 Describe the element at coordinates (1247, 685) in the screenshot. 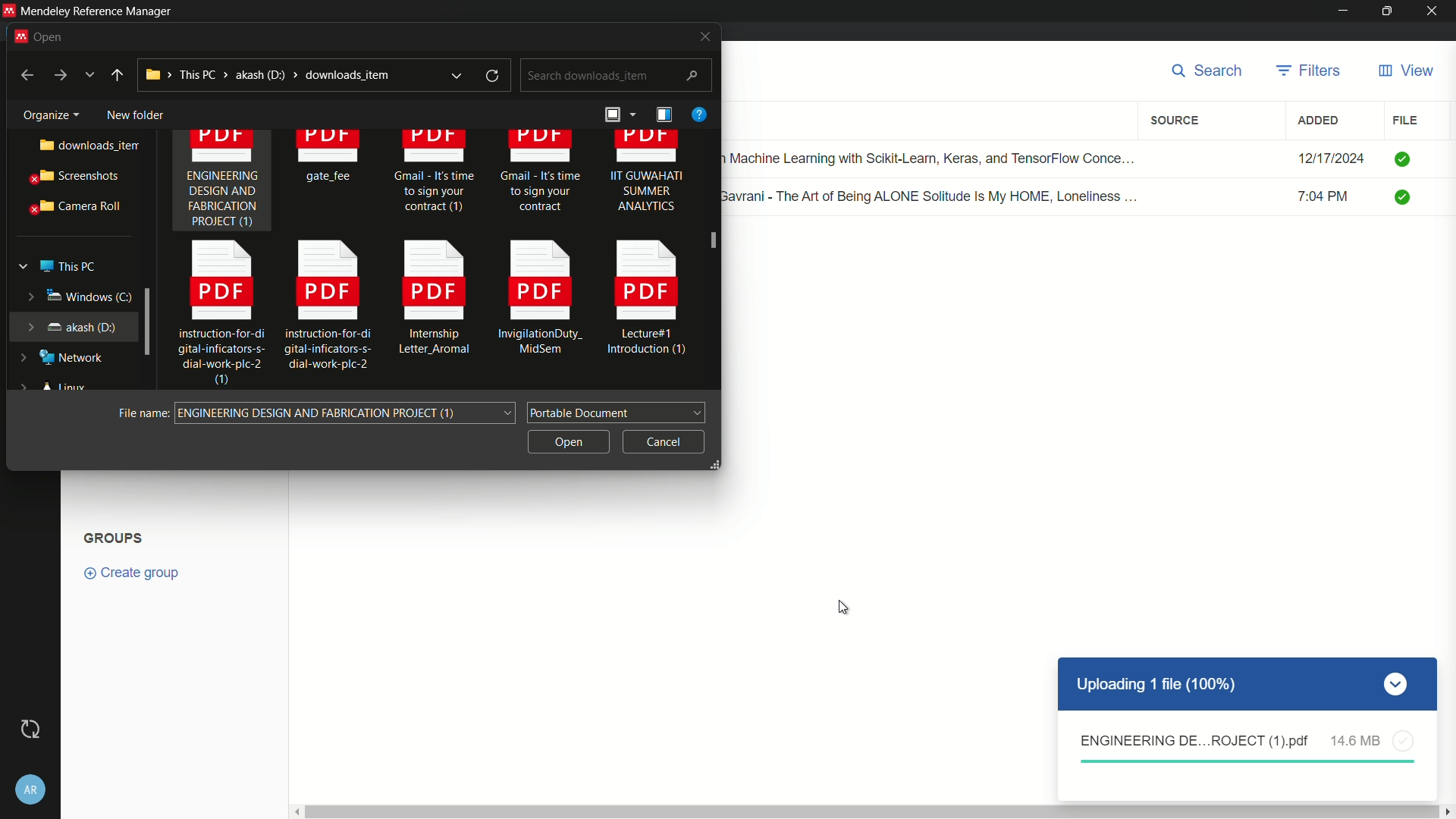

I see `Uploading 1 file (100%)` at that location.